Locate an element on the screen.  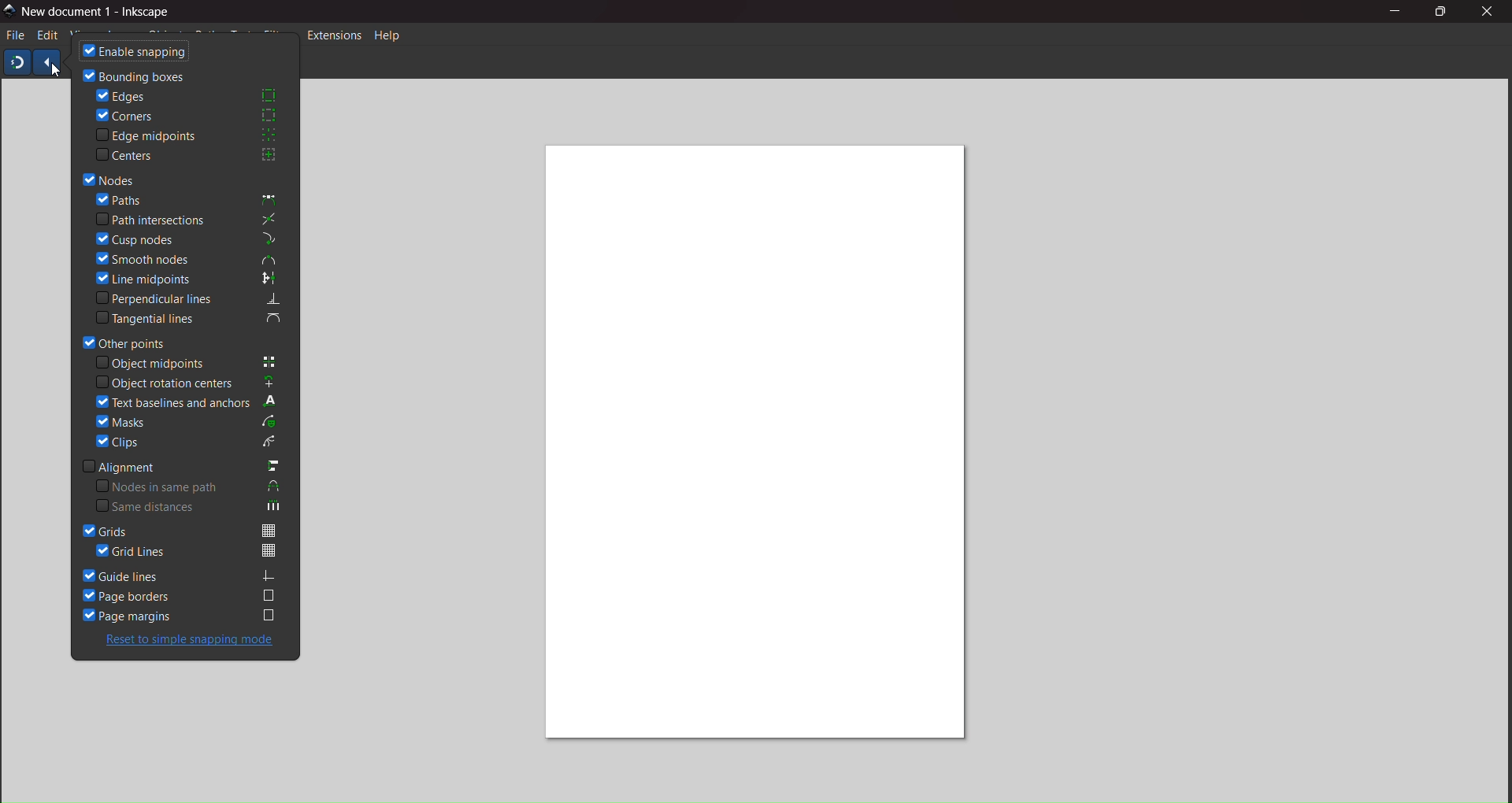
cursor is located at coordinates (55, 72).